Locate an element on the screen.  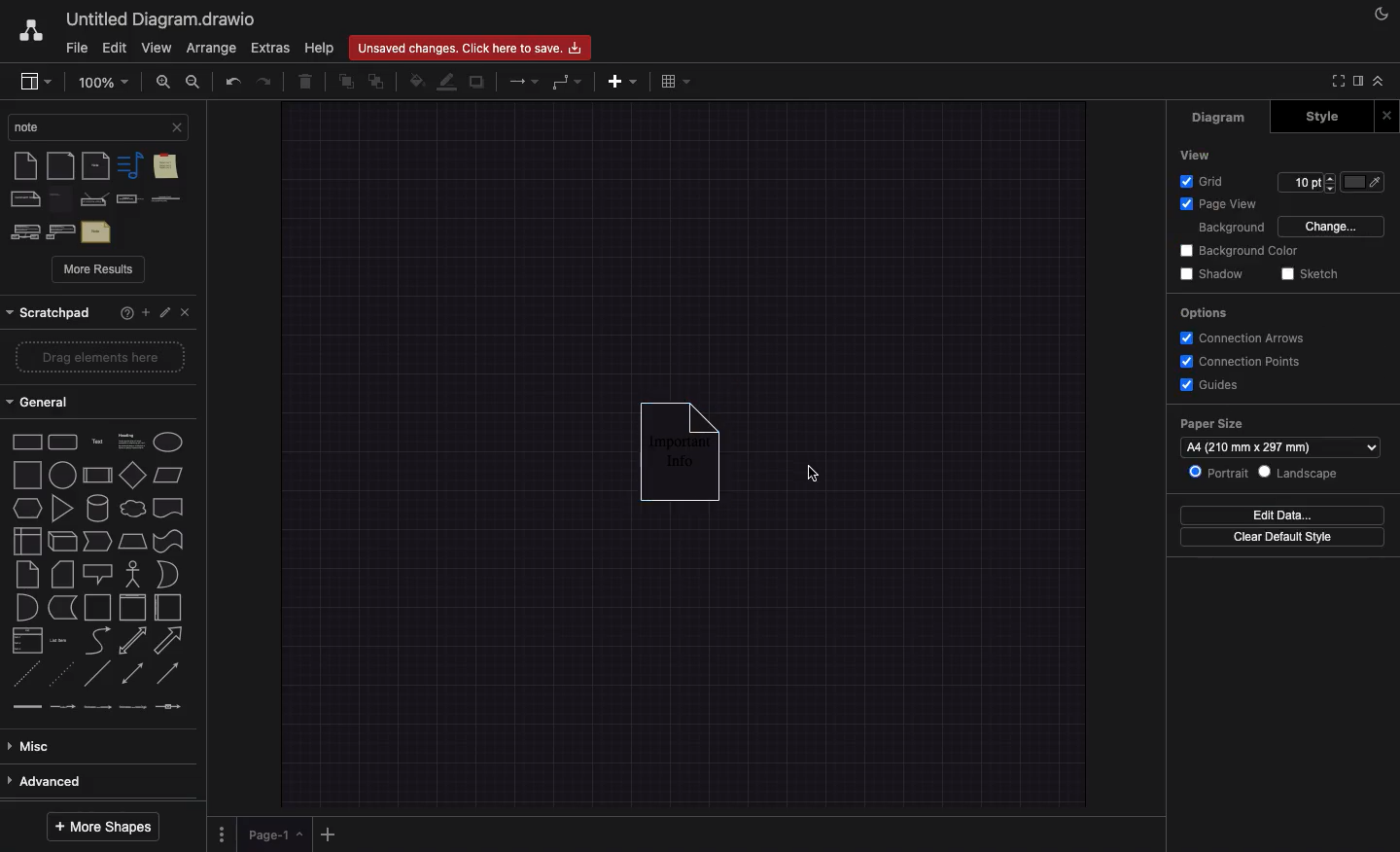
Connection points is located at coordinates (1236, 361).